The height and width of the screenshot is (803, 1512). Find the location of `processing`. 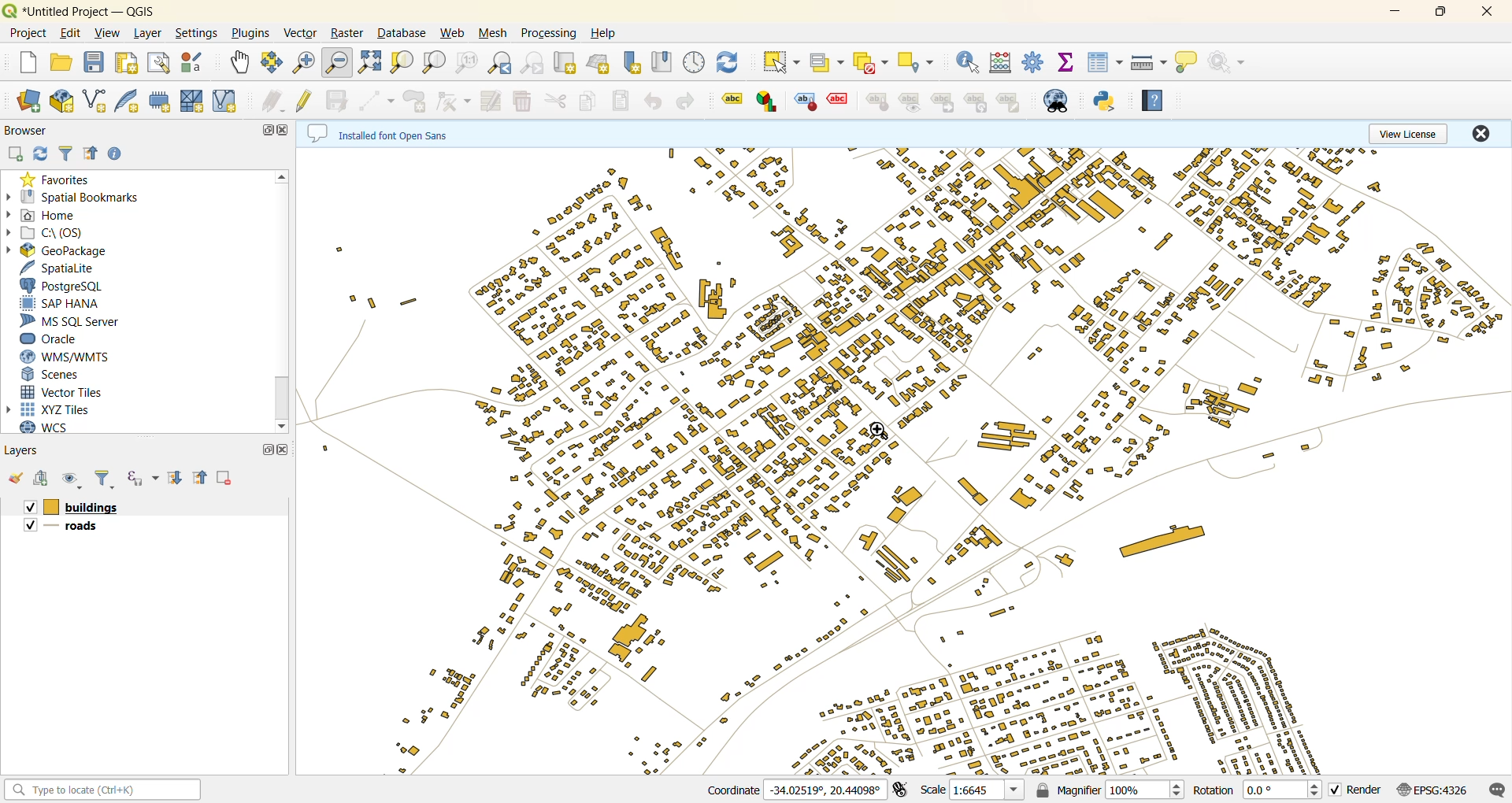

processing is located at coordinates (551, 33).